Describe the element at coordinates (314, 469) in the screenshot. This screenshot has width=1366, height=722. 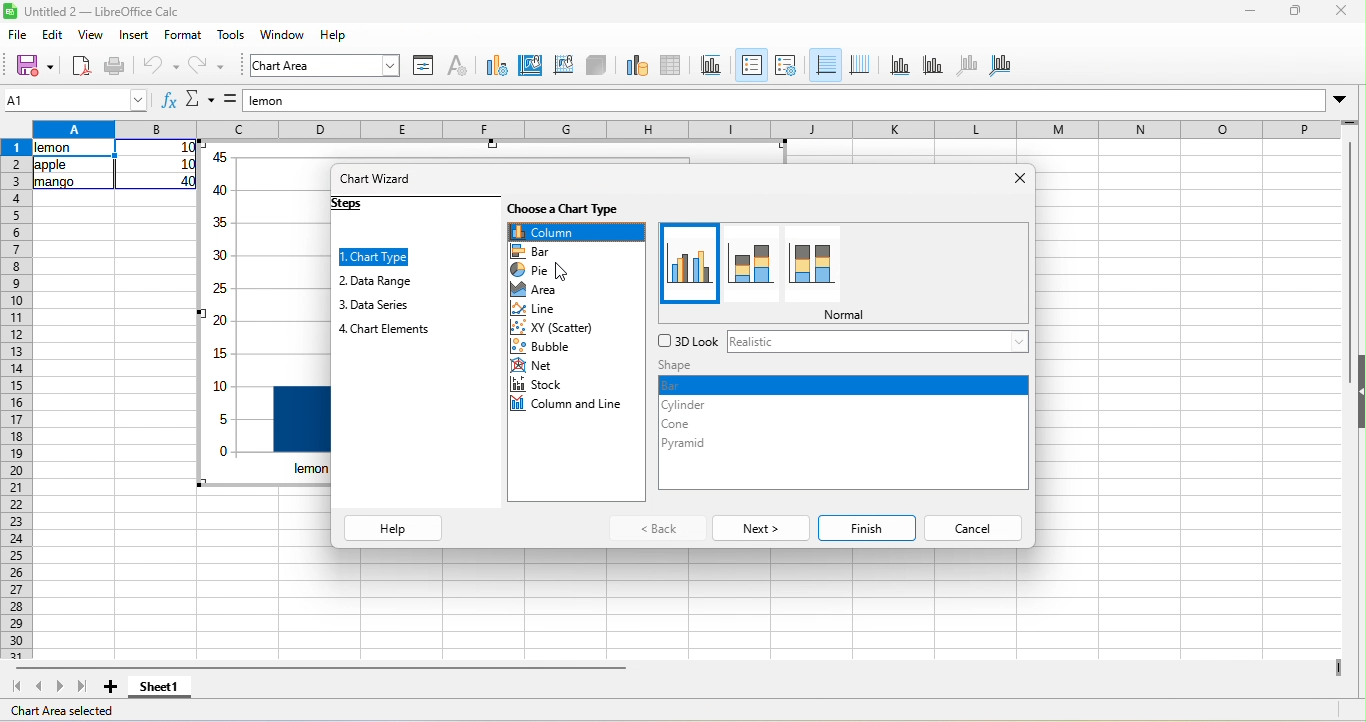
I see `lemon` at that location.